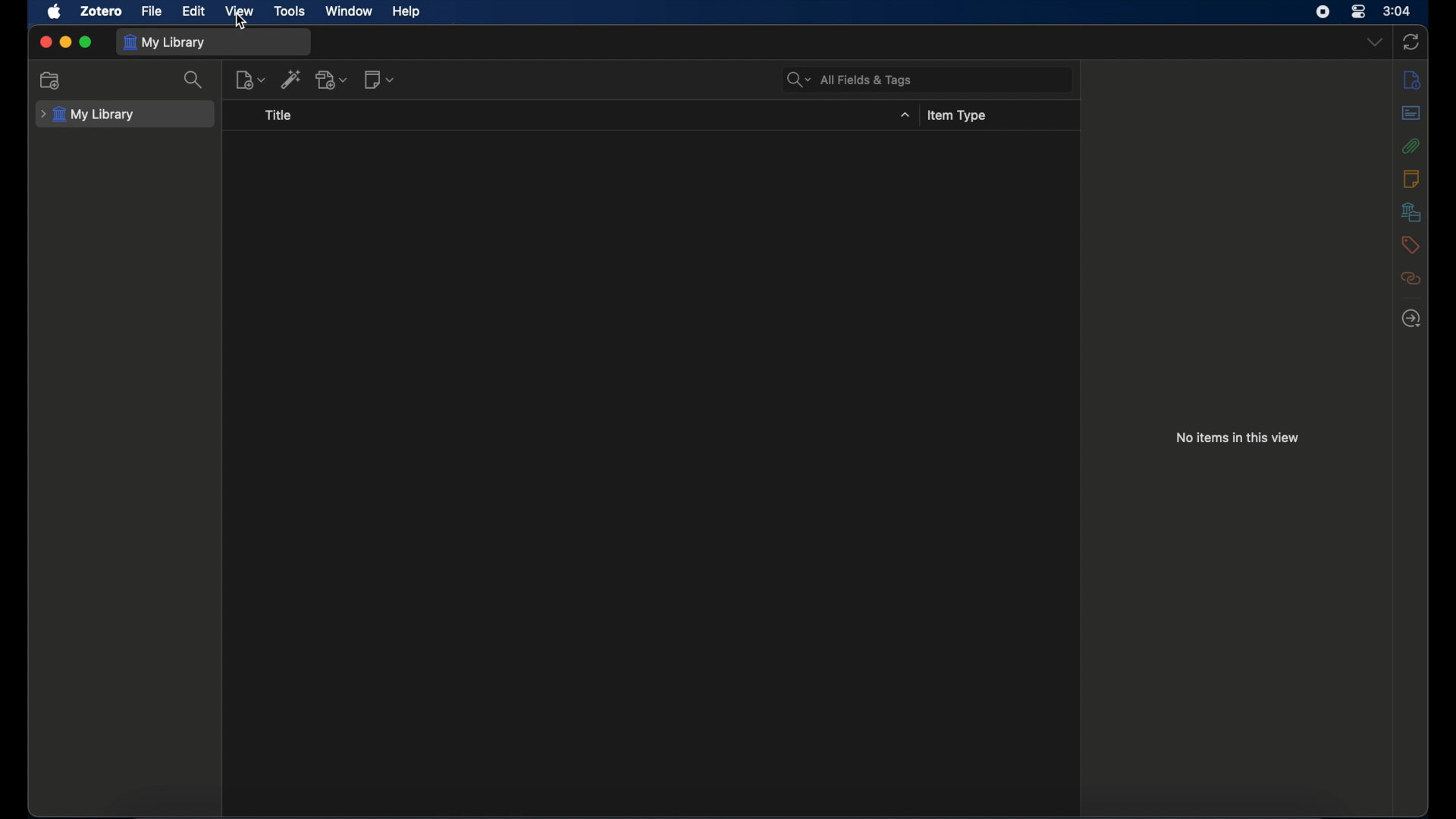 The image size is (1456, 819). Describe the element at coordinates (250, 80) in the screenshot. I see `new item` at that location.